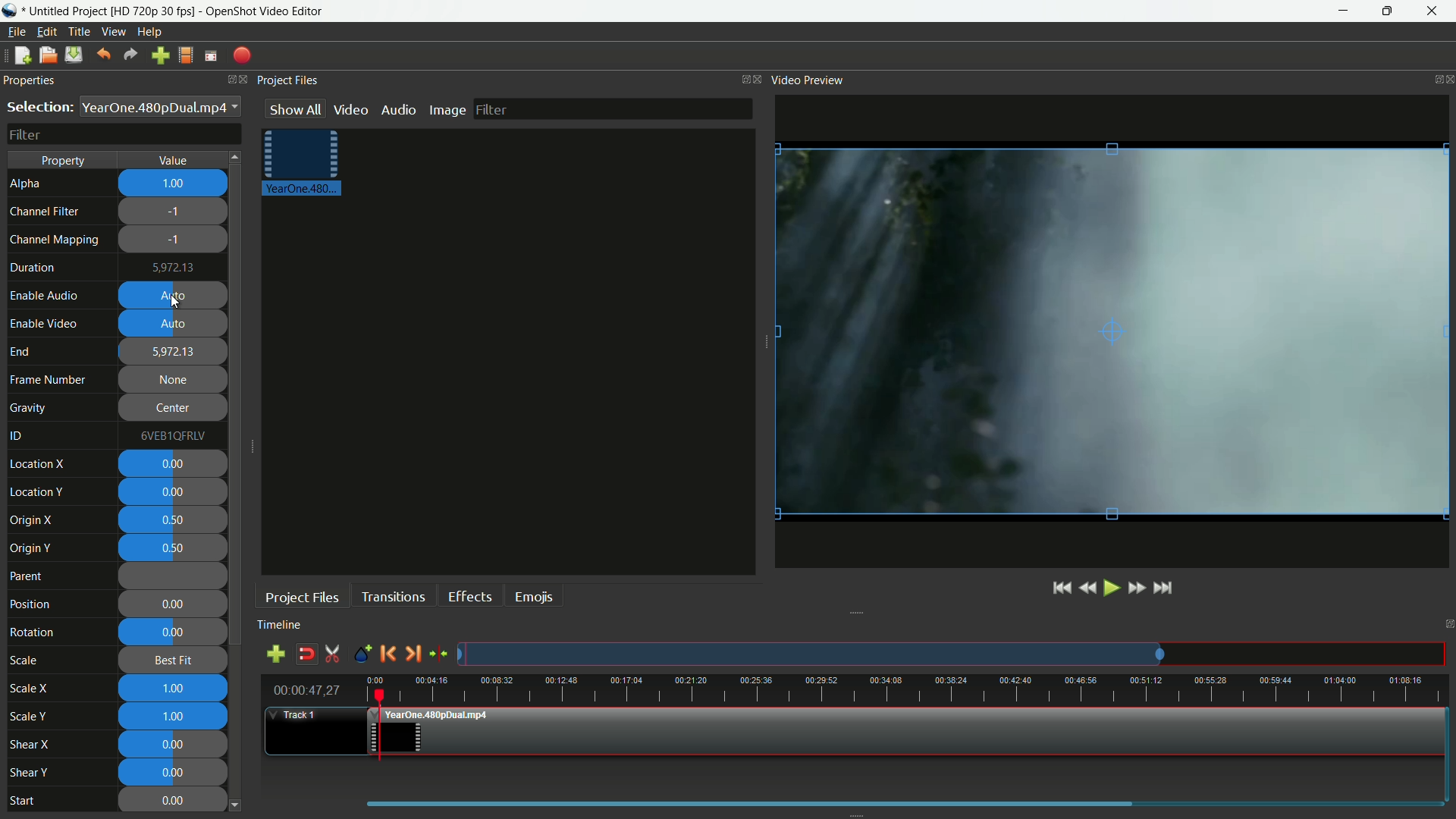 Image resolution: width=1456 pixels, height=819 pixels. Describe the element at coordinates (174, 717) in the screenshot. I see `1.00` at that location.